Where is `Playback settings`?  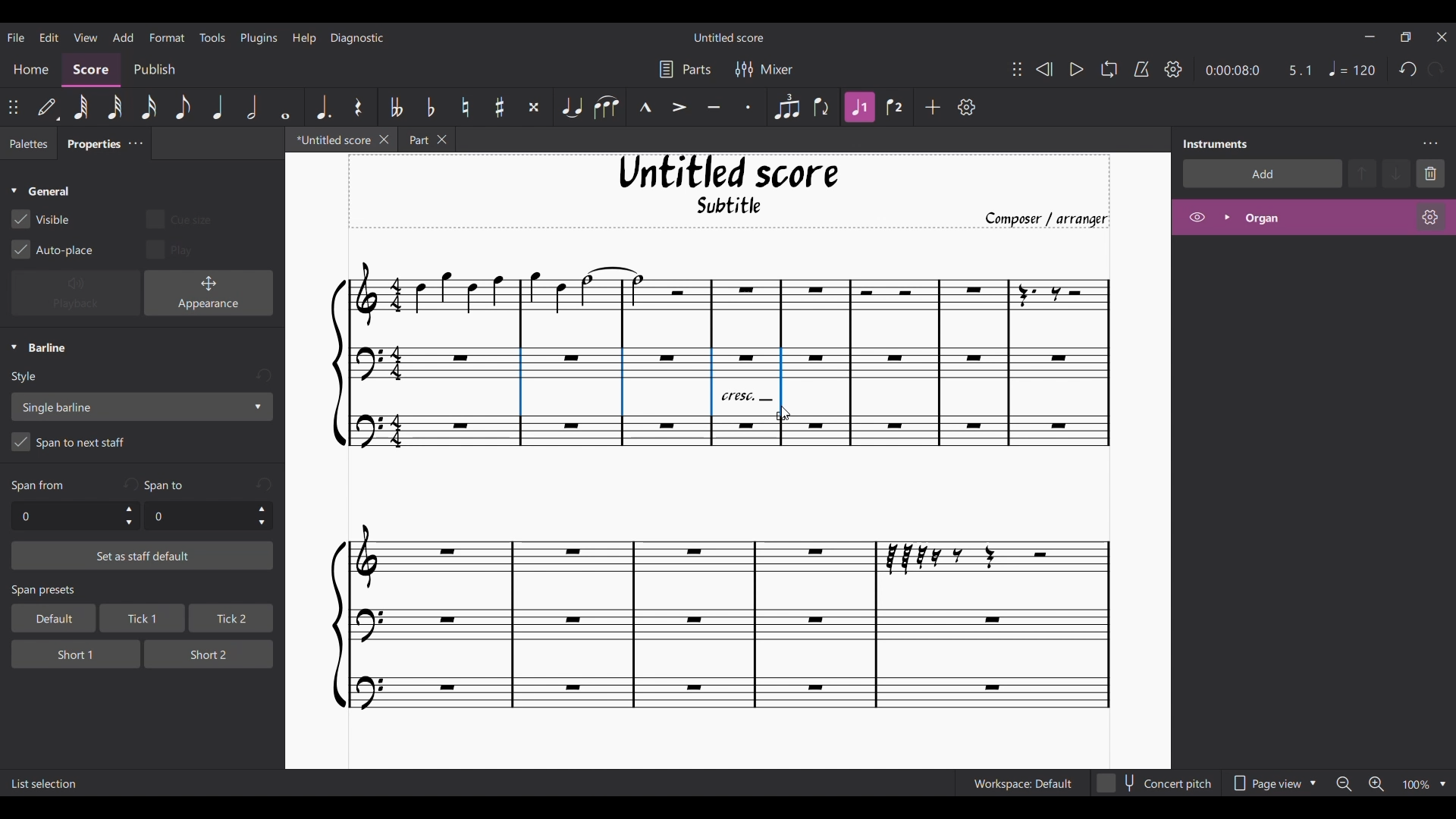
Playback settings is located at coordinates (1173, 69).